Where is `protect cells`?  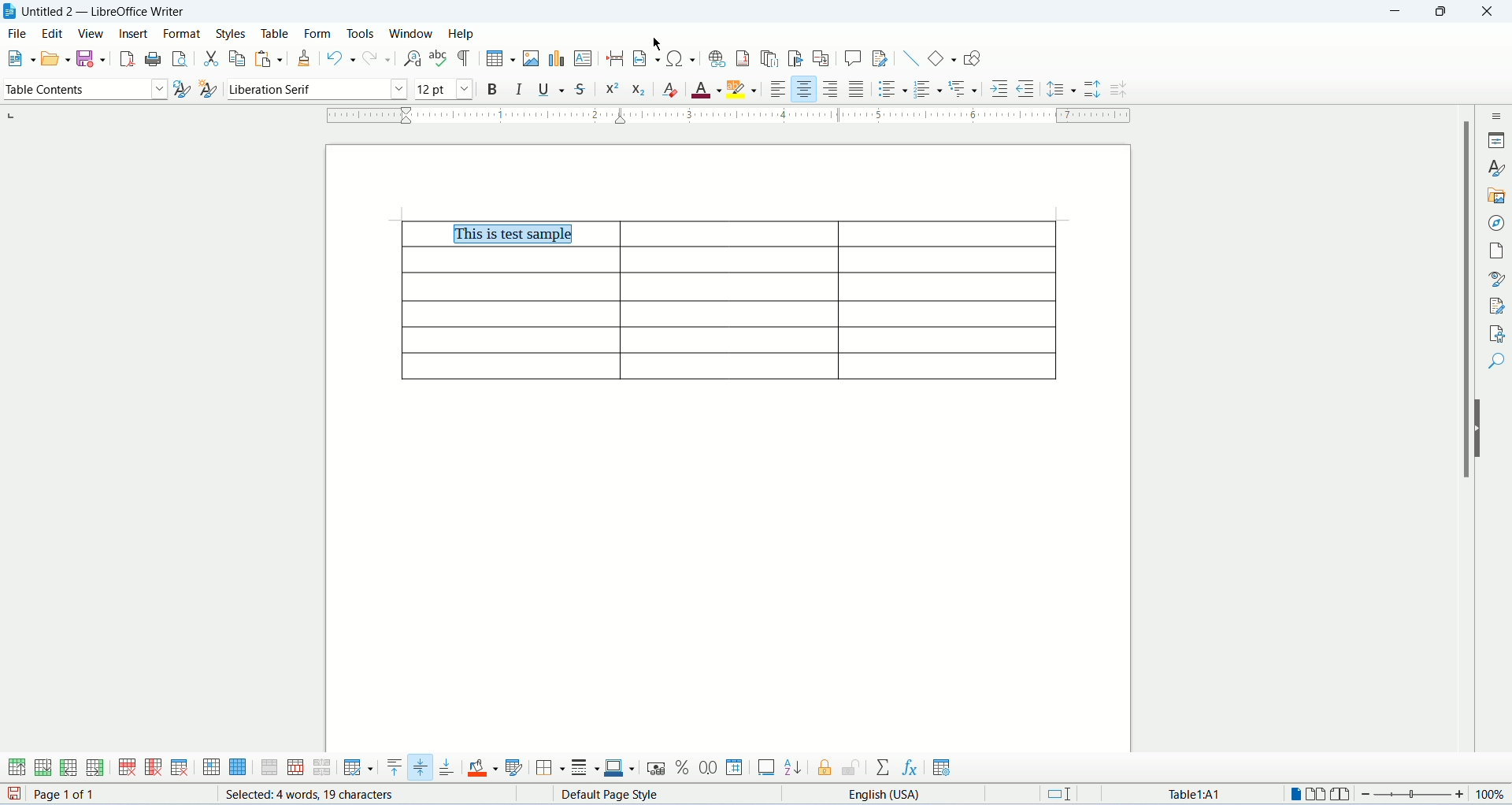 protect cells is located at coordinates (828, 769).